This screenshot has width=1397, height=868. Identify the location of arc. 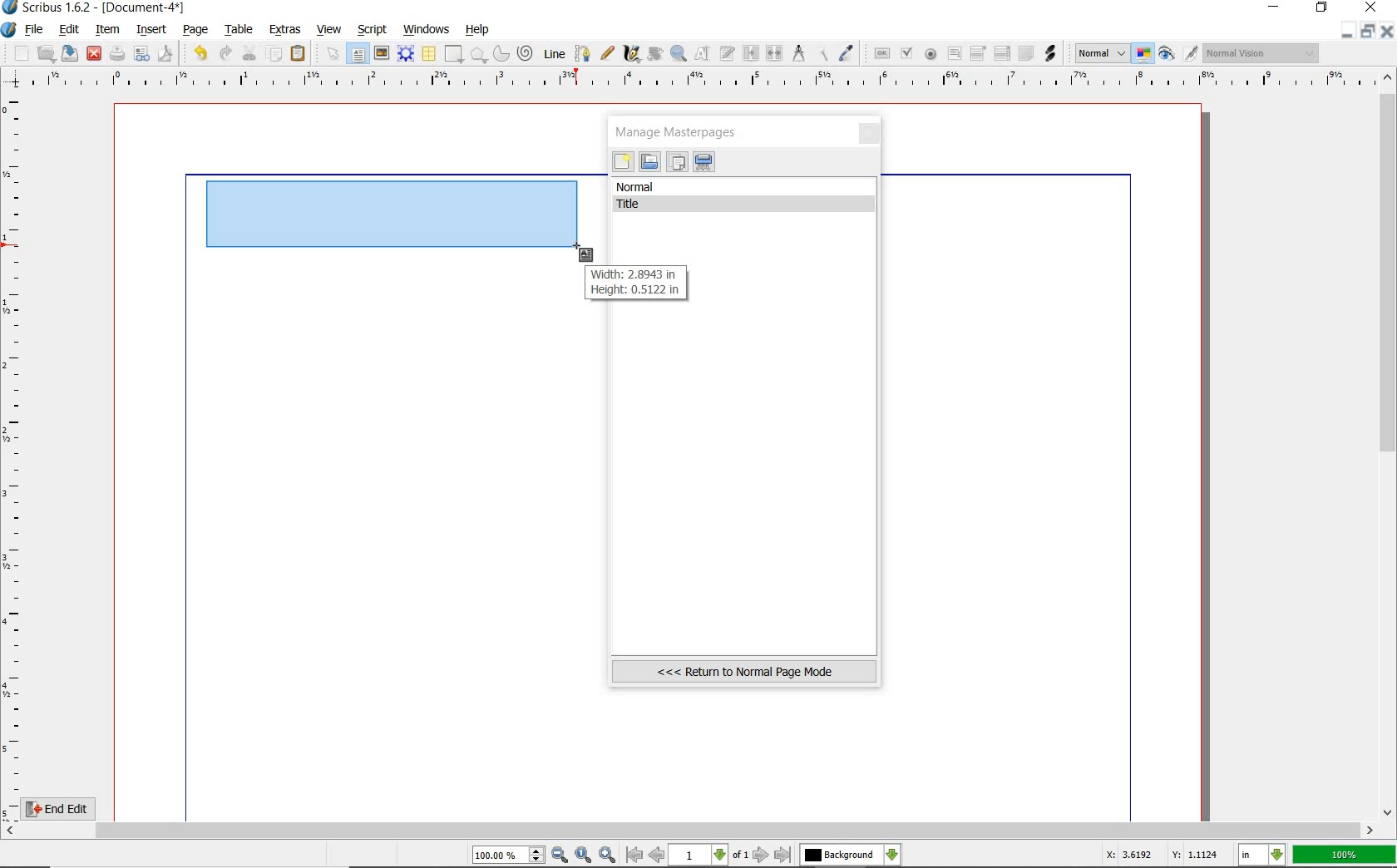
(500, 53).